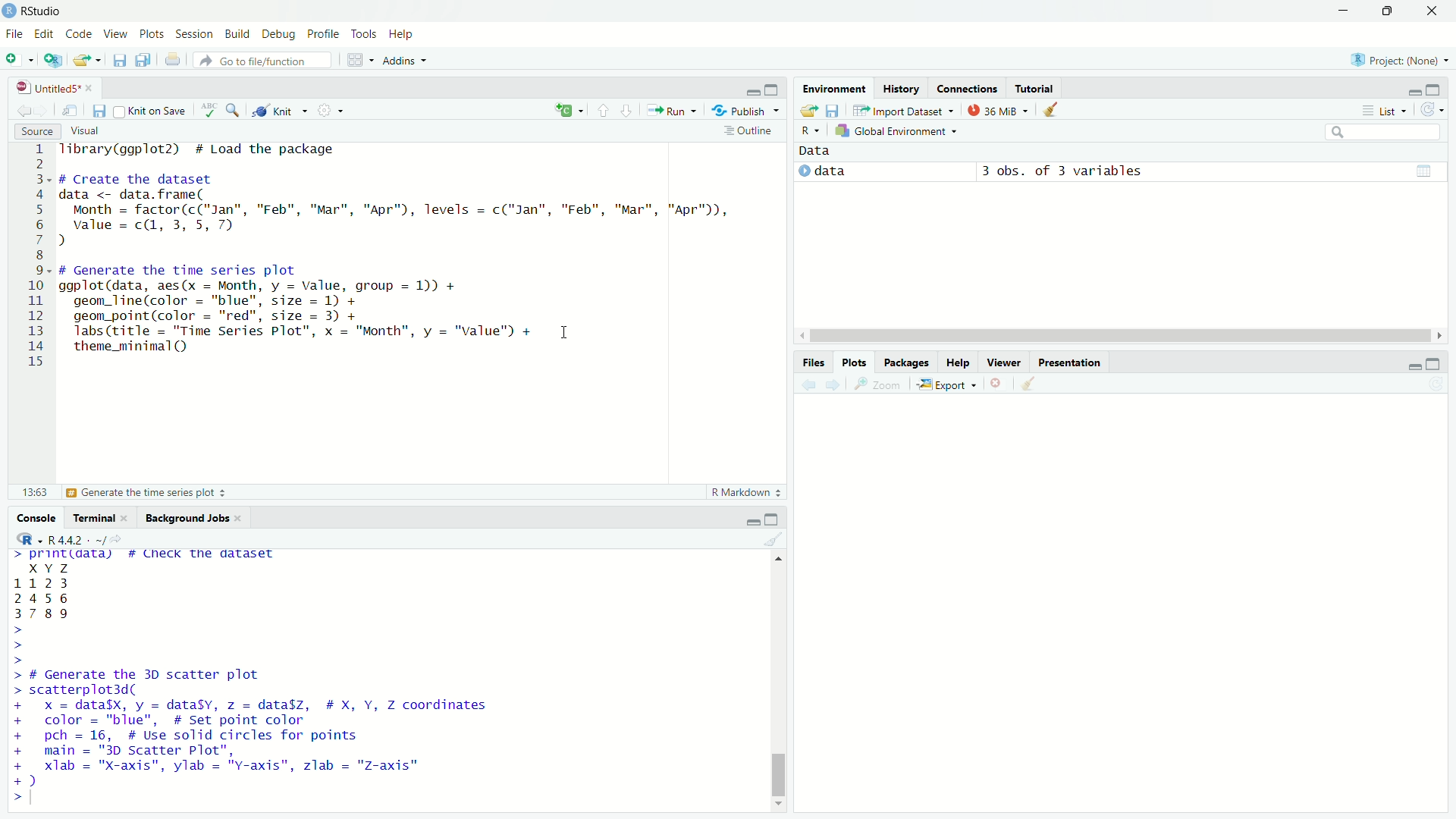 The width and height of the screenshot is (1456, 819). Describe the element at coordinates (174, 61) in the screenshot. I see `print the file` at that location.